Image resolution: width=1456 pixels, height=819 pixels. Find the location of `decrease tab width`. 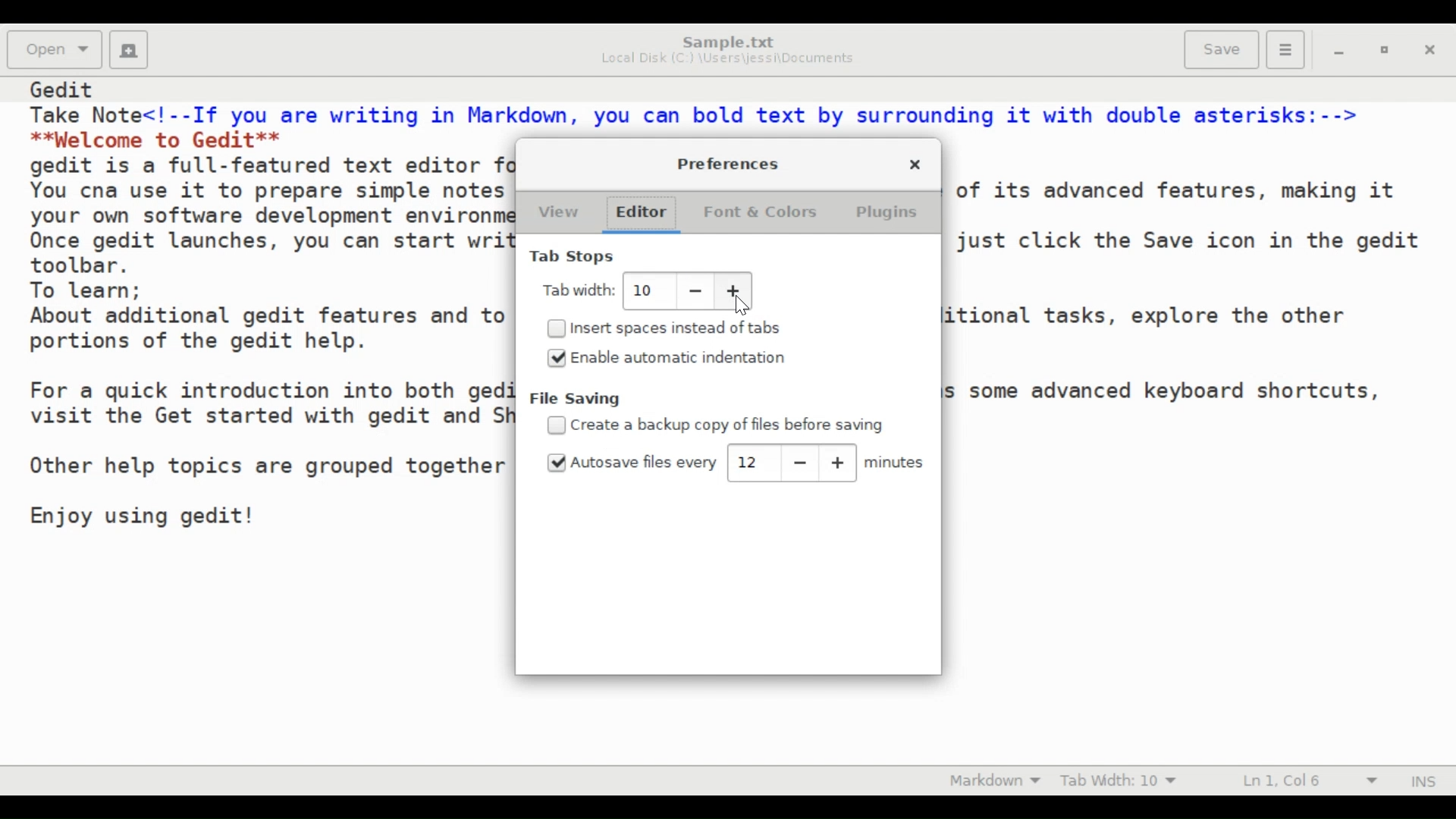

decrease tab width is located at coordinates (692, 292).